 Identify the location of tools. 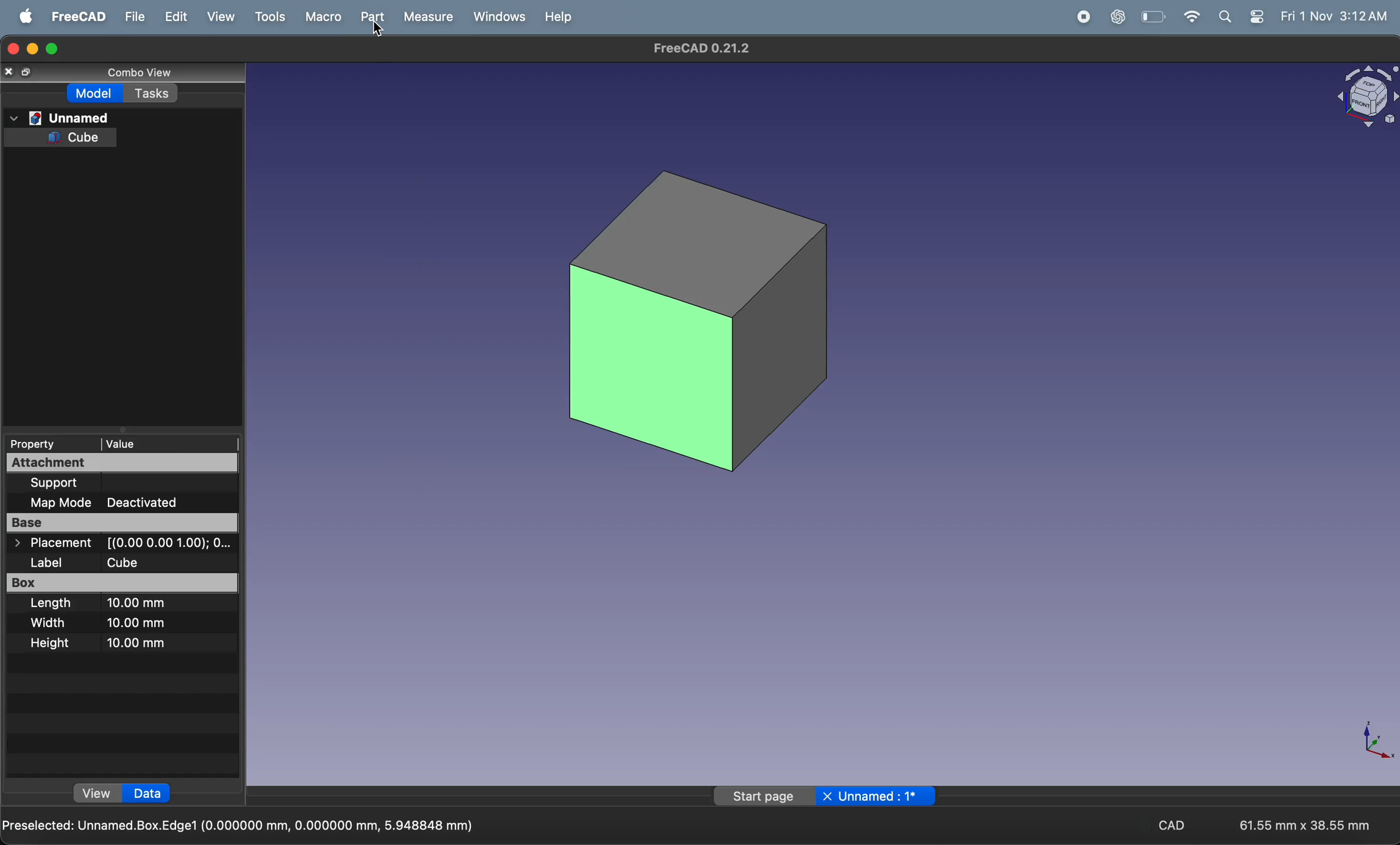
(269, 15).